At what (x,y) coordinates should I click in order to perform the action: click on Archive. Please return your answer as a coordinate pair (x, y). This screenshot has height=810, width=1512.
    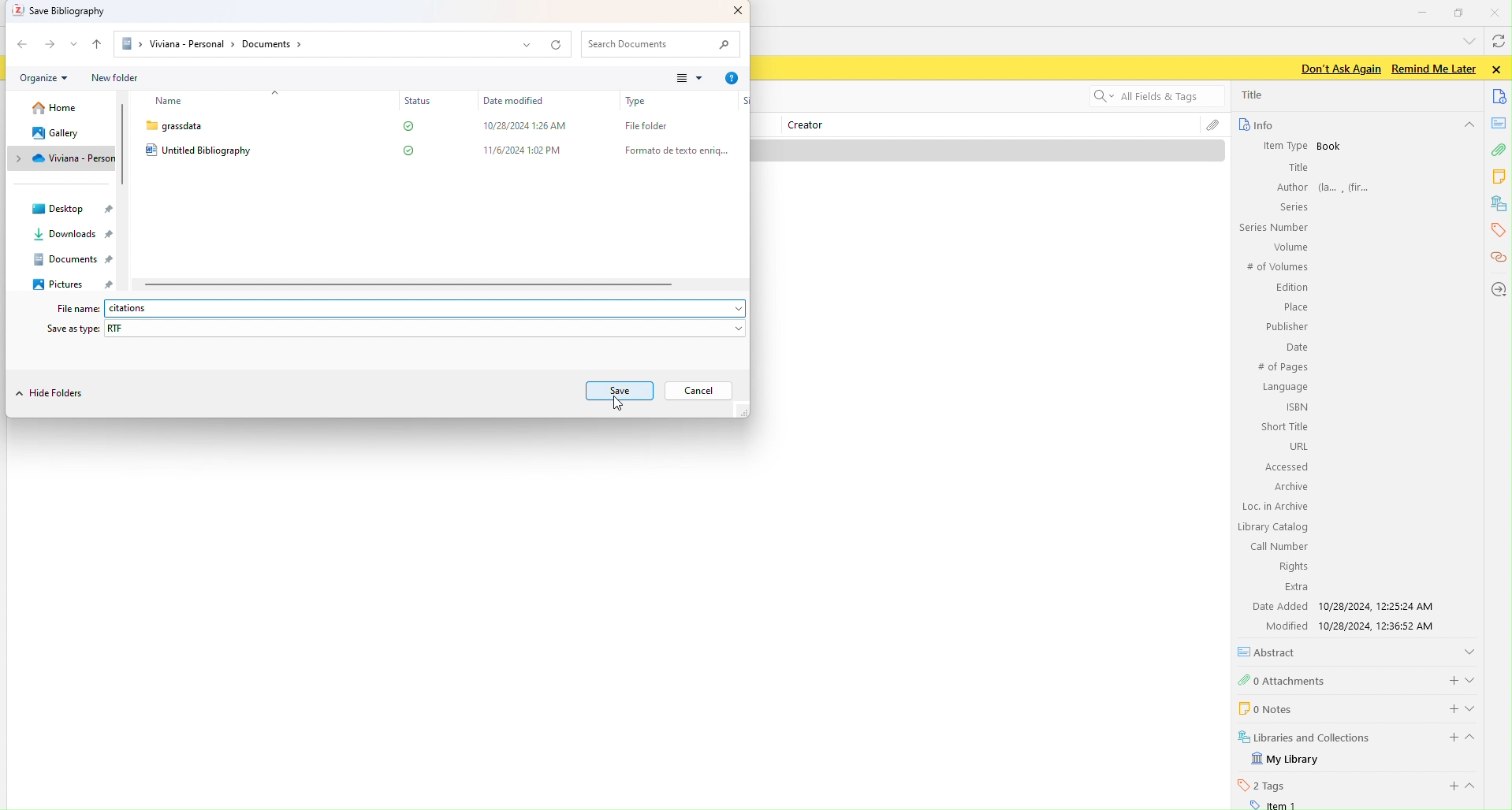
    Looking at the image, I should click on (1289, 486).